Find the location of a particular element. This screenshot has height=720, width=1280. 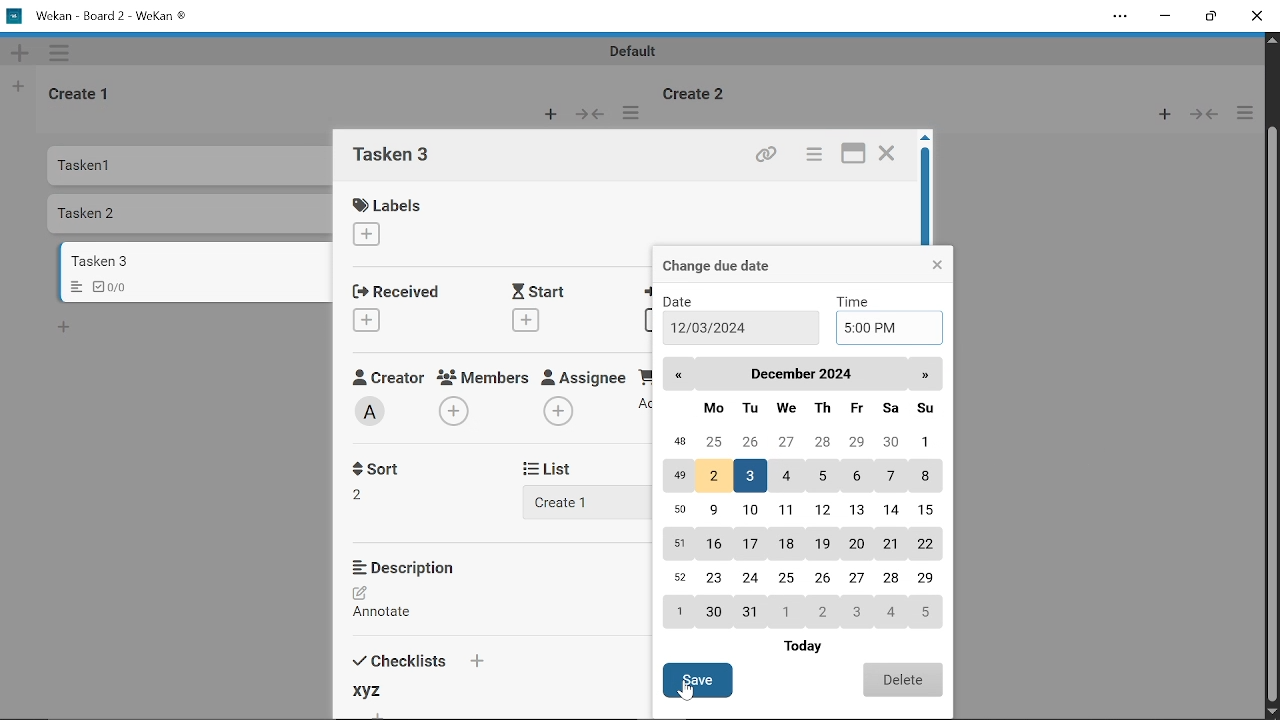

Add due date is located at coordinates (650, 321).